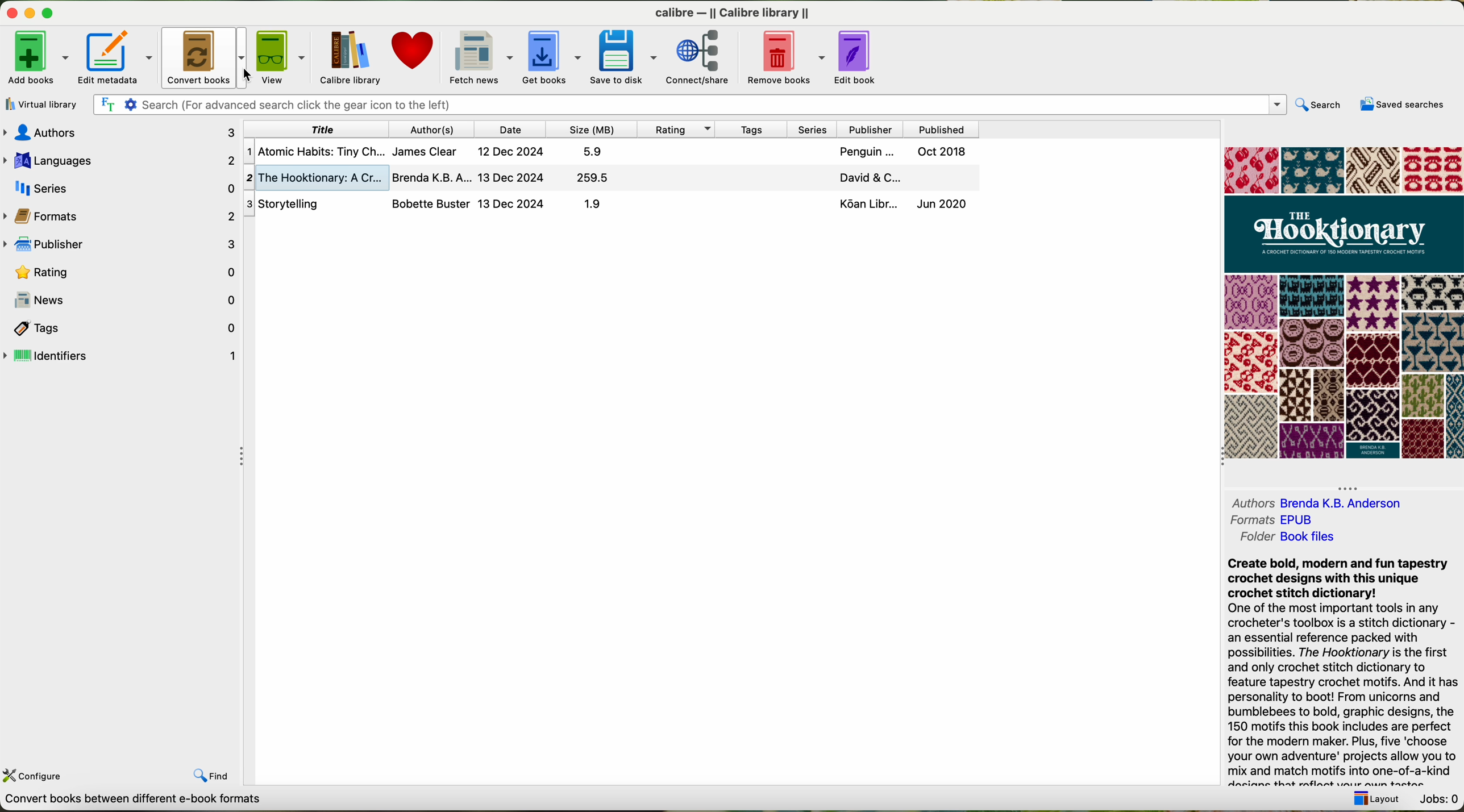 The image size is (1464, 812). I want to click on book cover preview, so click(1347, 302).